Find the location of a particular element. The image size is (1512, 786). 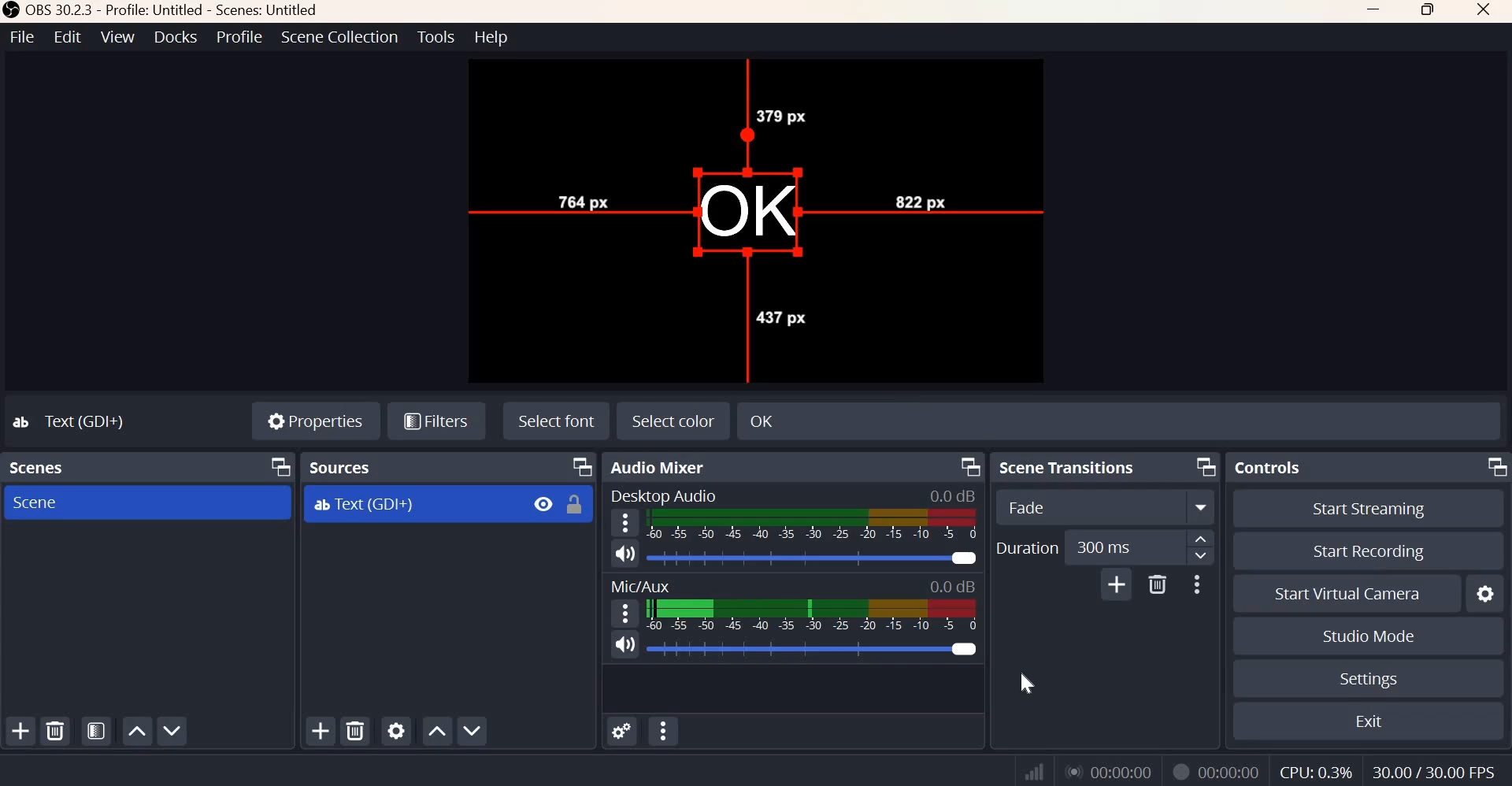

Lock Toggle is located at coordinates (574, 504).